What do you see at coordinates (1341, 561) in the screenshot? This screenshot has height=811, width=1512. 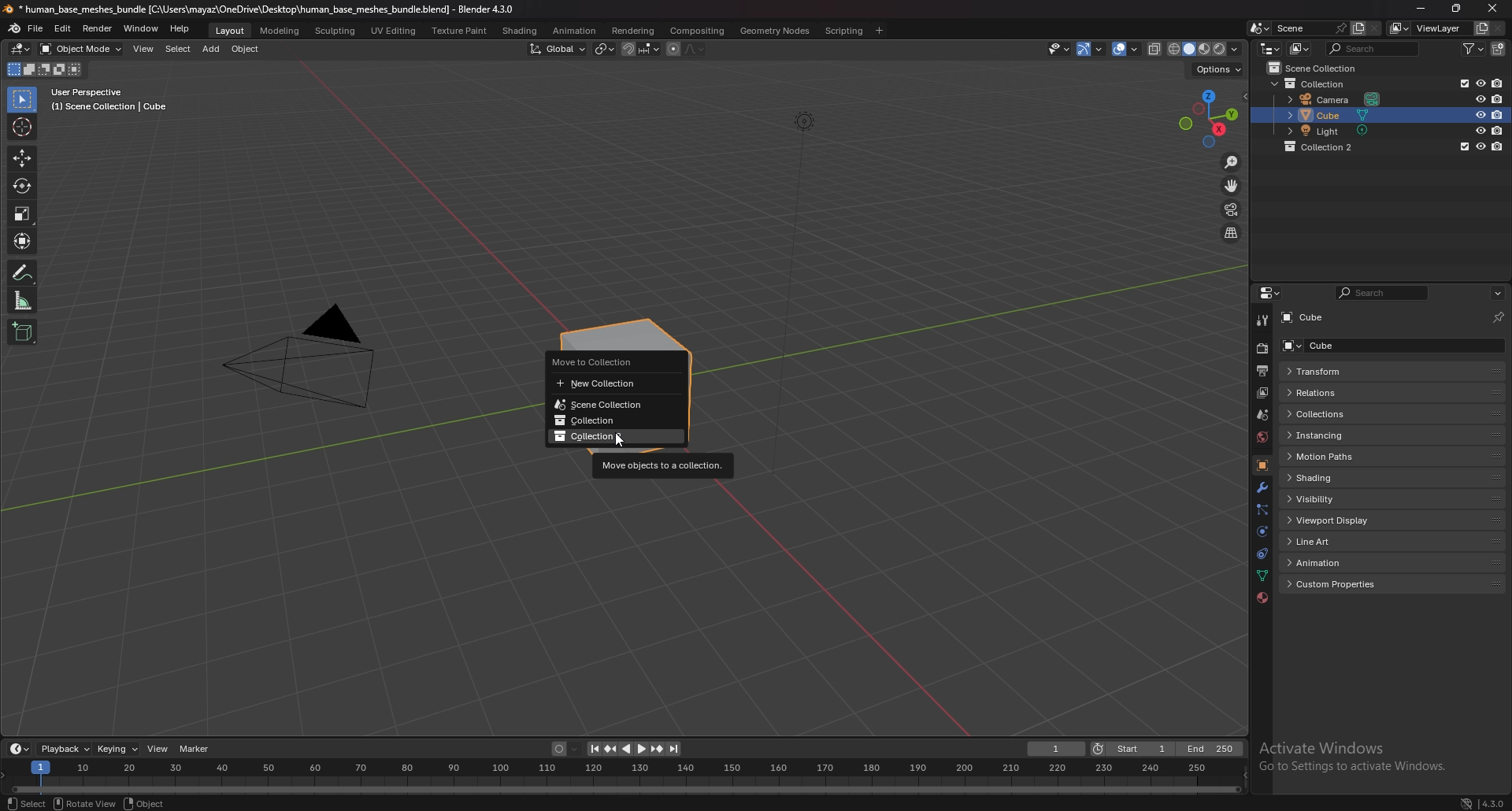 I see `animation` at bounding box center [1341, 561].